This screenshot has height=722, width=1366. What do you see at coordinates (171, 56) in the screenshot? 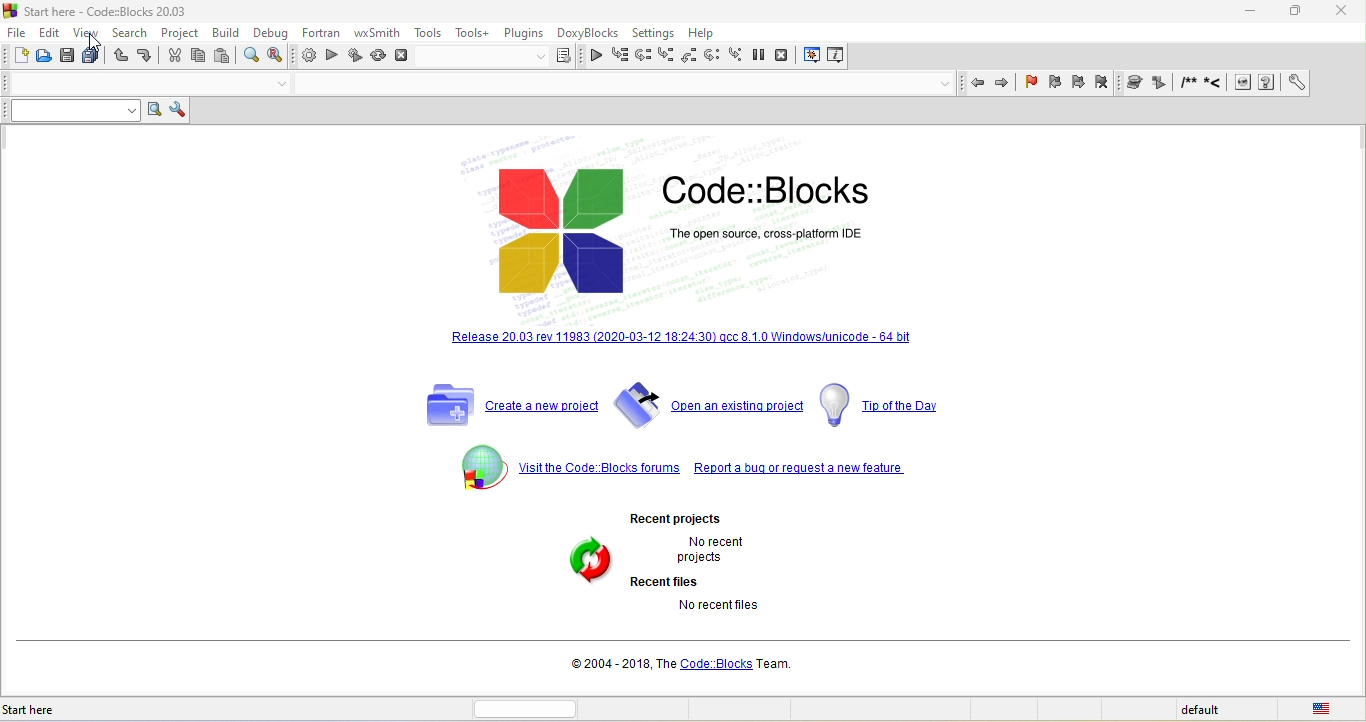
I see `cut` at bounding box center [171, 56].